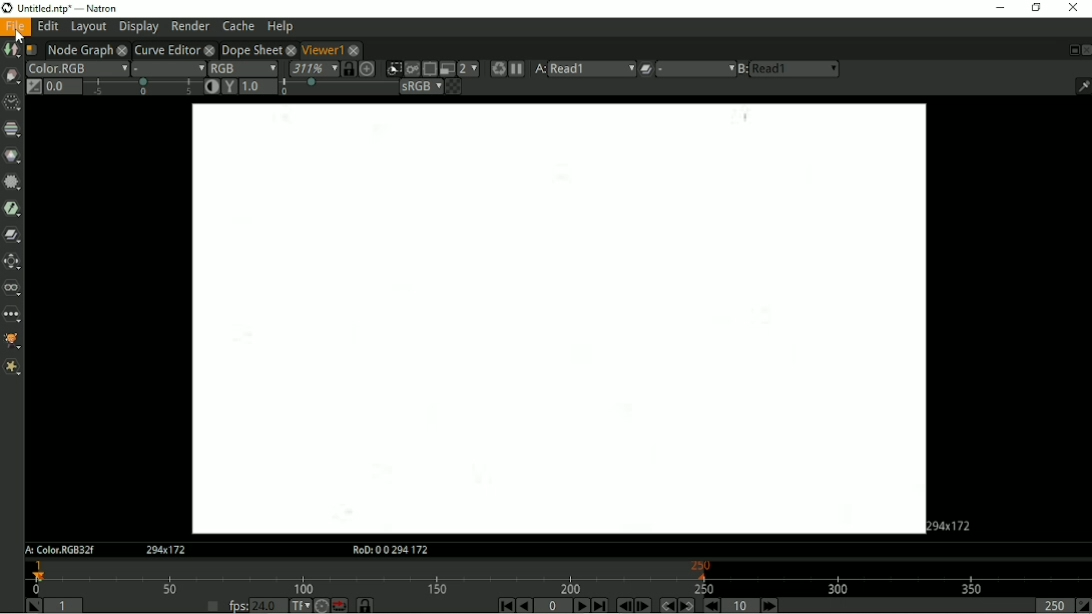 This screenshot has height=614, width=1092. I want to click on Filter, so click(14, 183).